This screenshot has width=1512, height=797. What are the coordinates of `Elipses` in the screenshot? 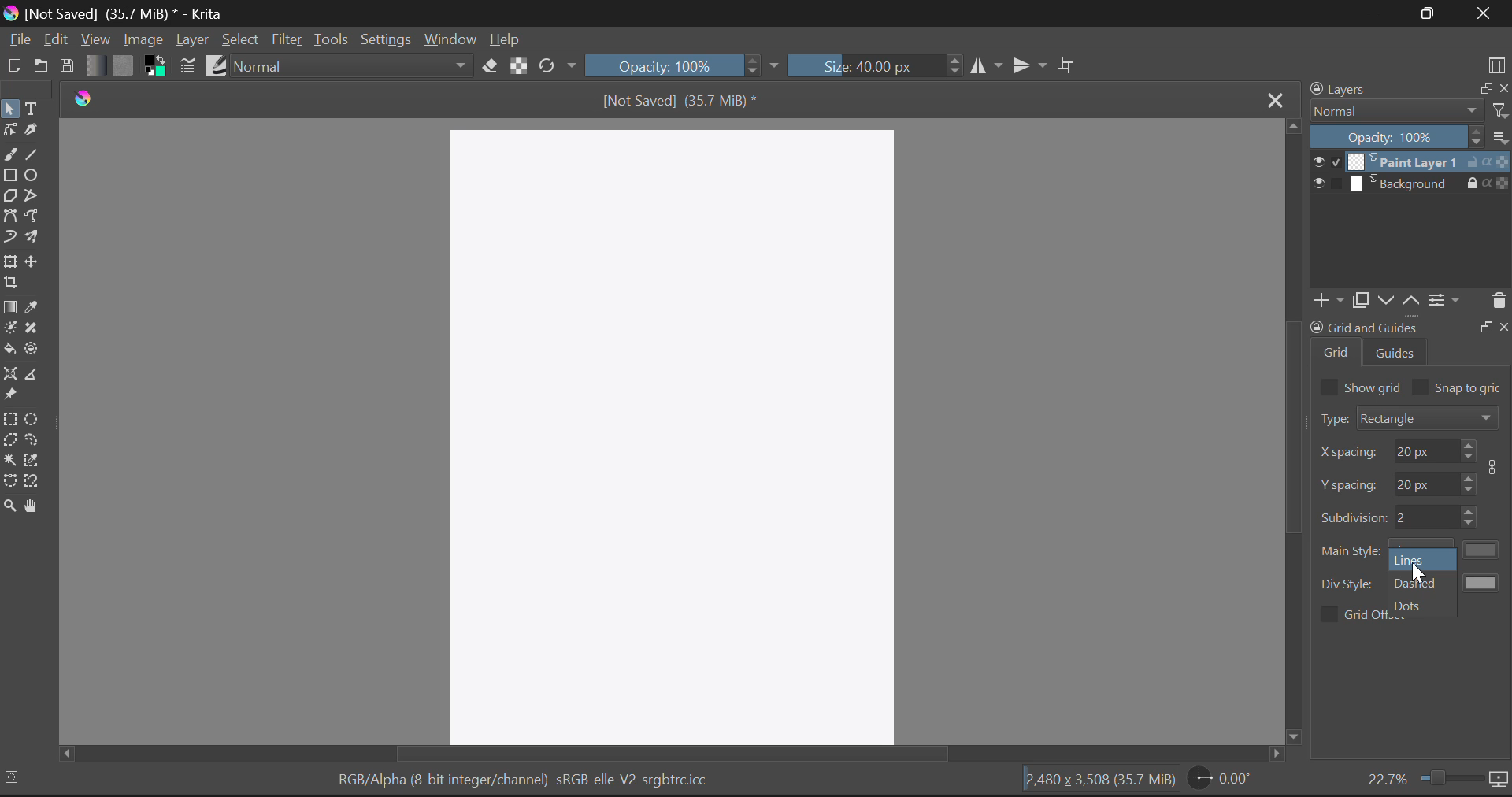 It's located at (32, 175).